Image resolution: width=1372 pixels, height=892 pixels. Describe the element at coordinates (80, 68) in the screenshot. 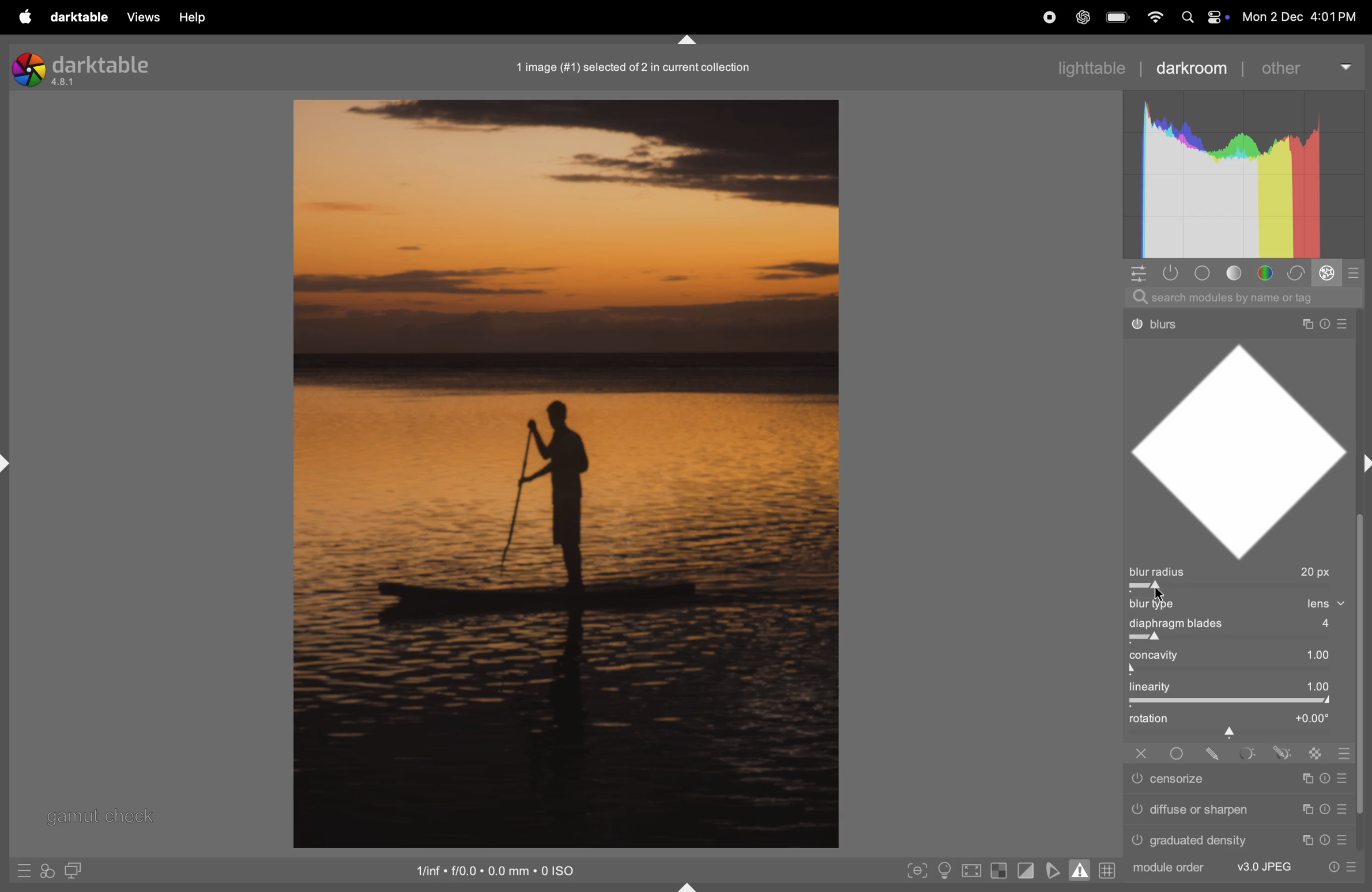

I see `darktable version` at that location.